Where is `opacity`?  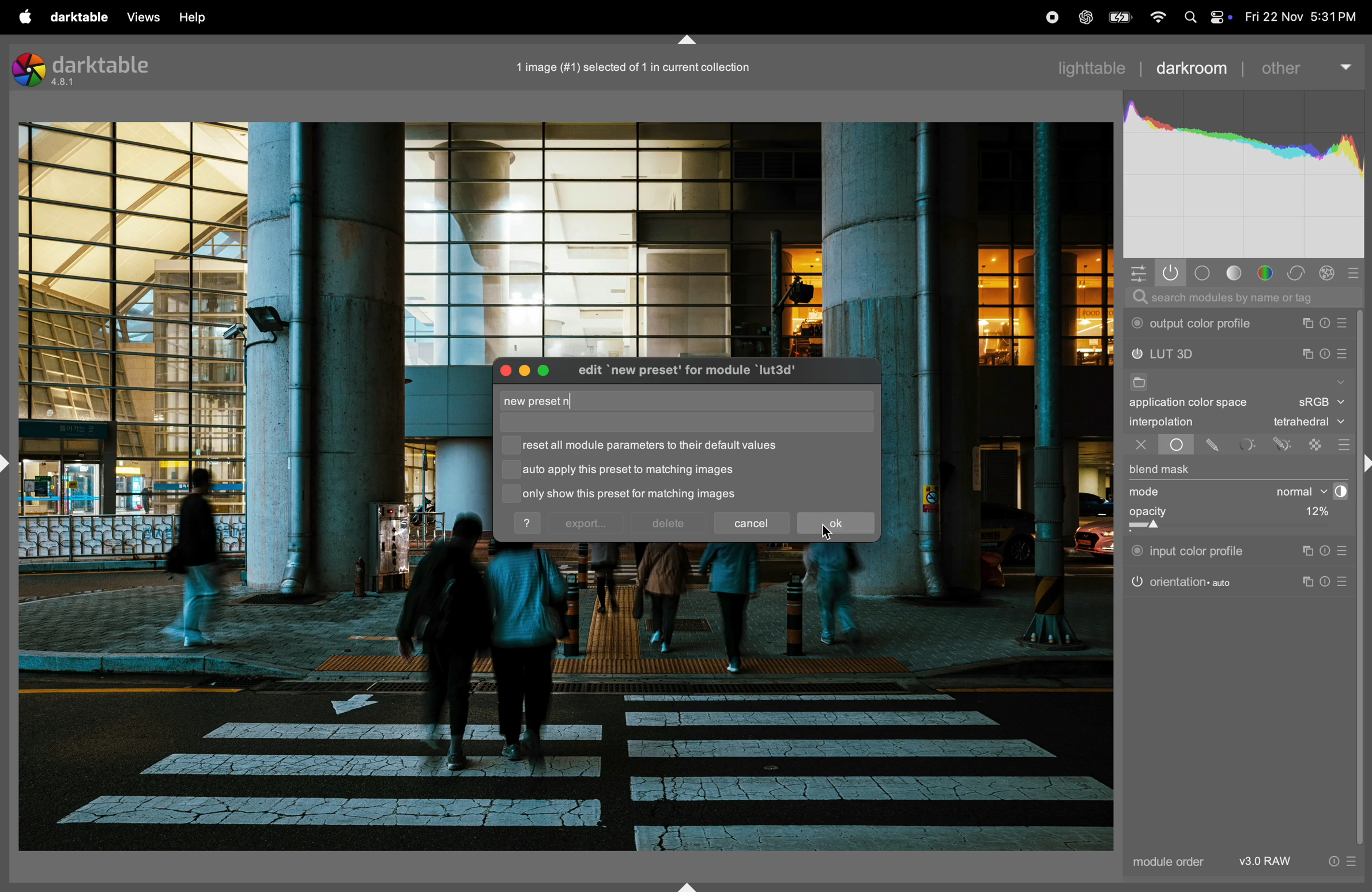
opacity is located at coordinates (1203, 516).